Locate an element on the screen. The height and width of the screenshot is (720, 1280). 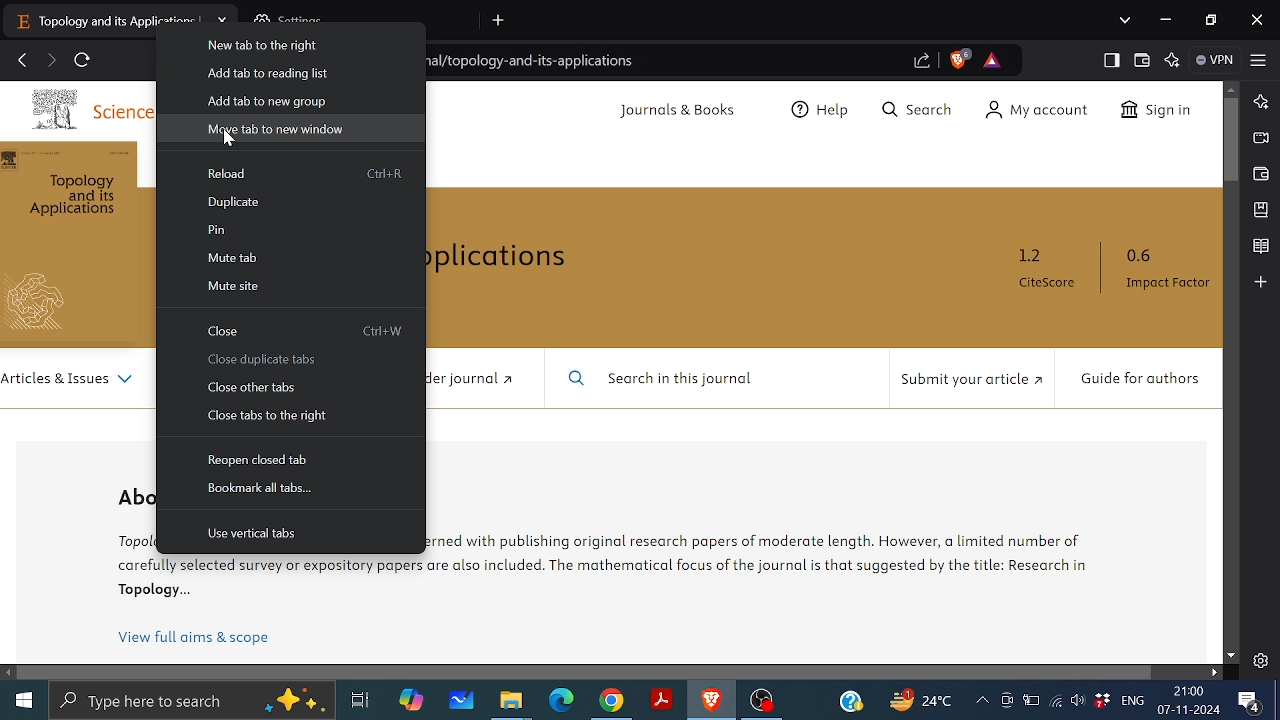
dropdown is located at coordinates (1126, 20).